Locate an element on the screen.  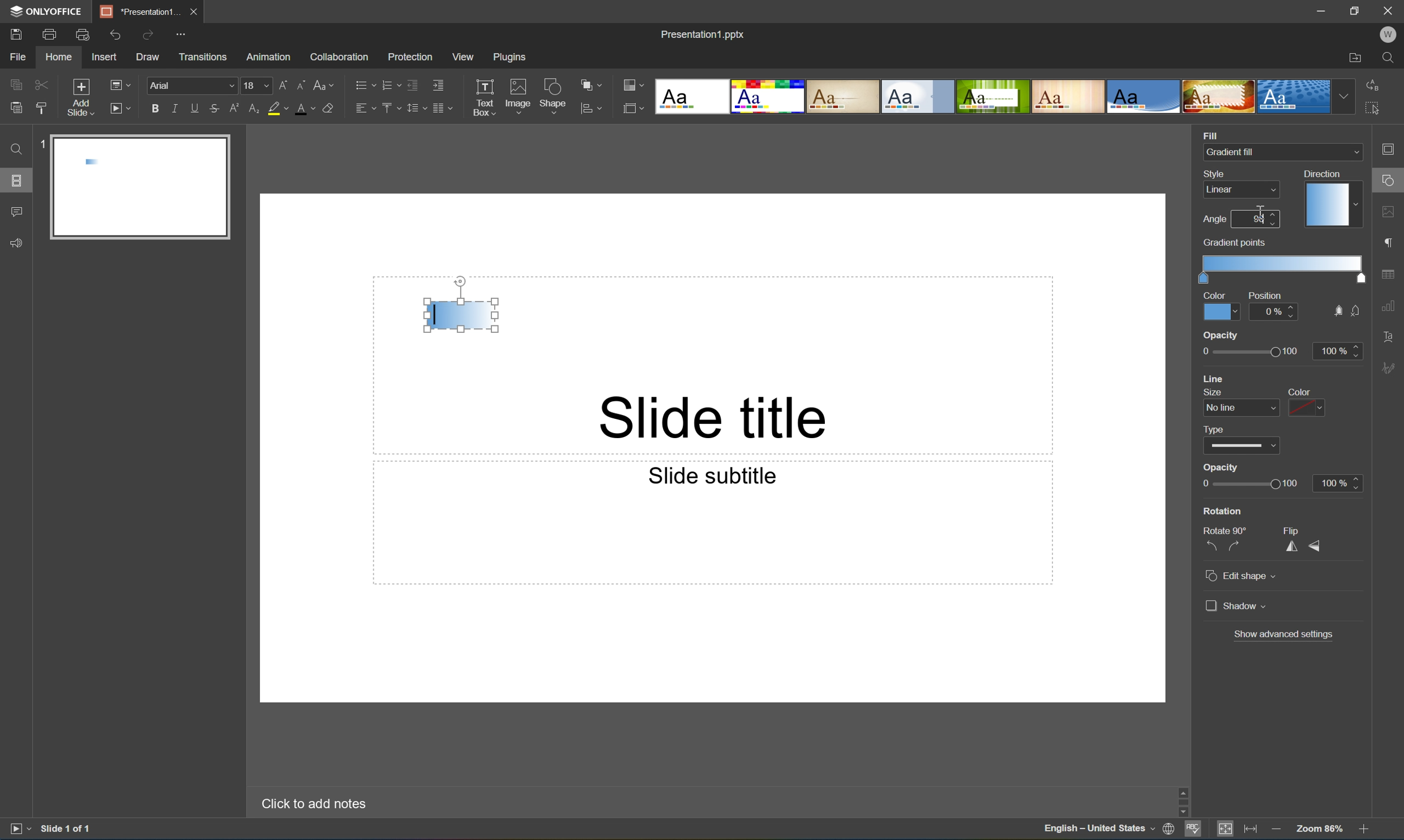
table settings is located at coordinates (1390, 275).